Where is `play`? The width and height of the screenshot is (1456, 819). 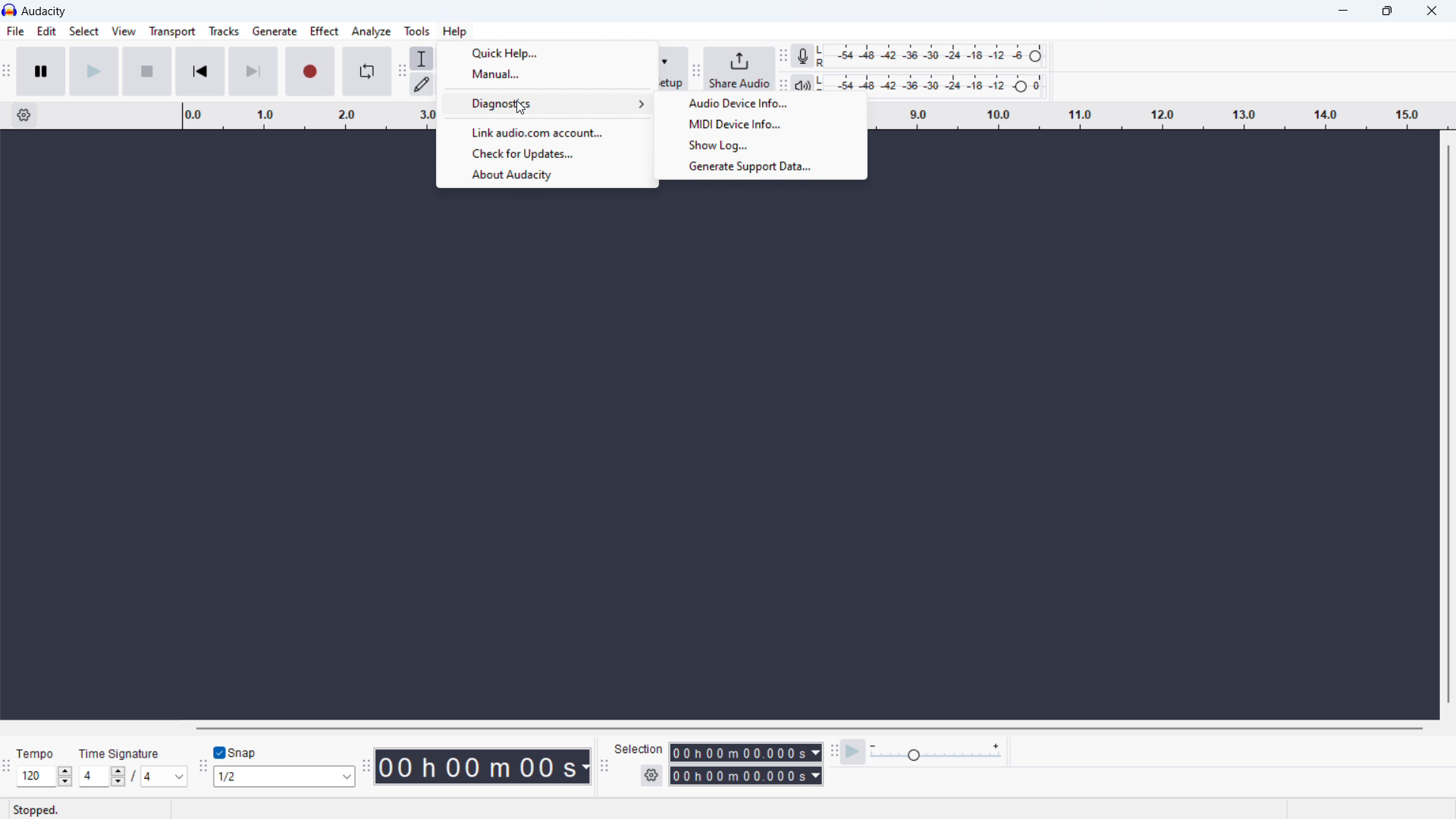
play is located at coordinates (95, 71).